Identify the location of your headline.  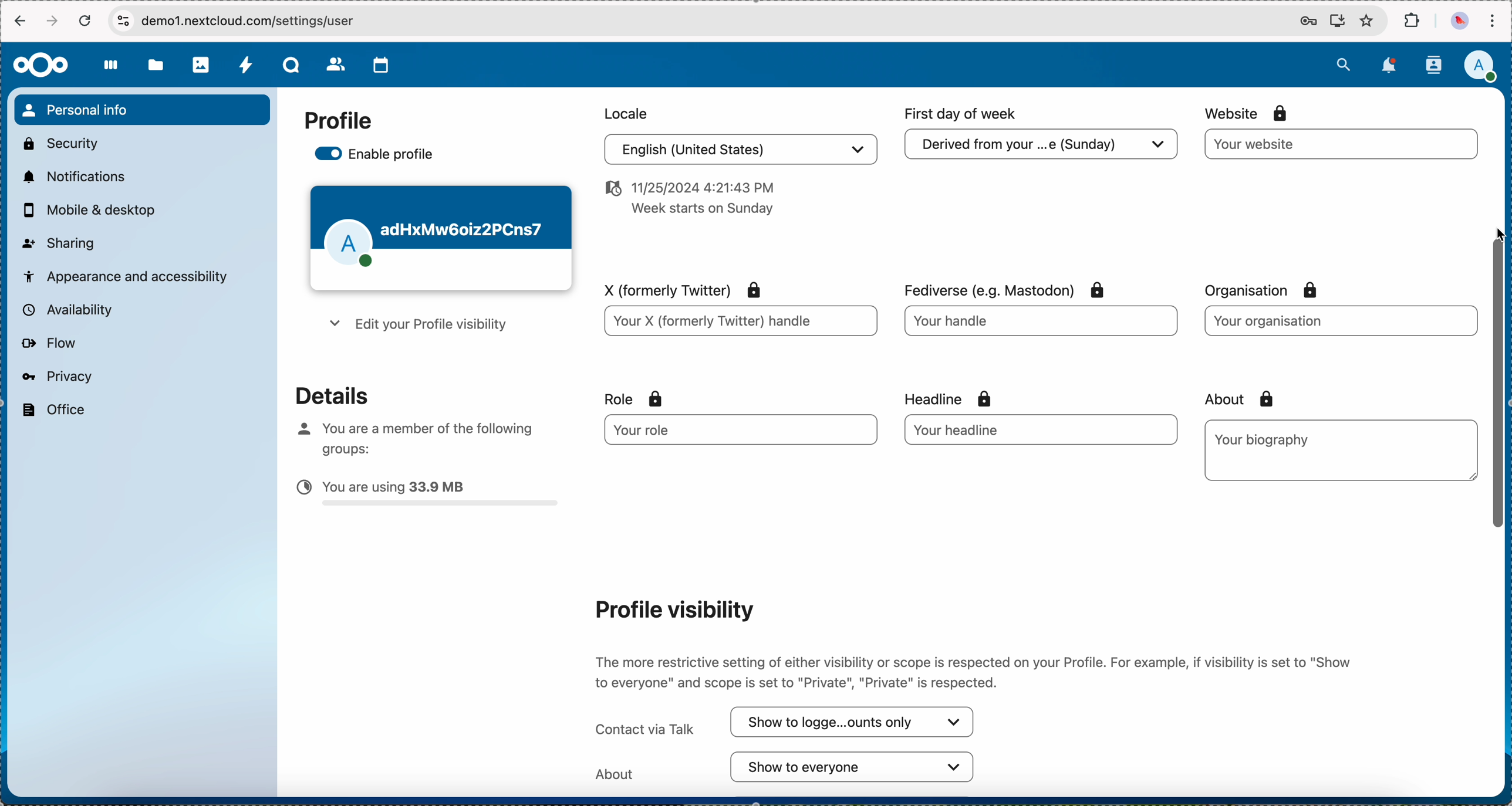
(1005, 429).